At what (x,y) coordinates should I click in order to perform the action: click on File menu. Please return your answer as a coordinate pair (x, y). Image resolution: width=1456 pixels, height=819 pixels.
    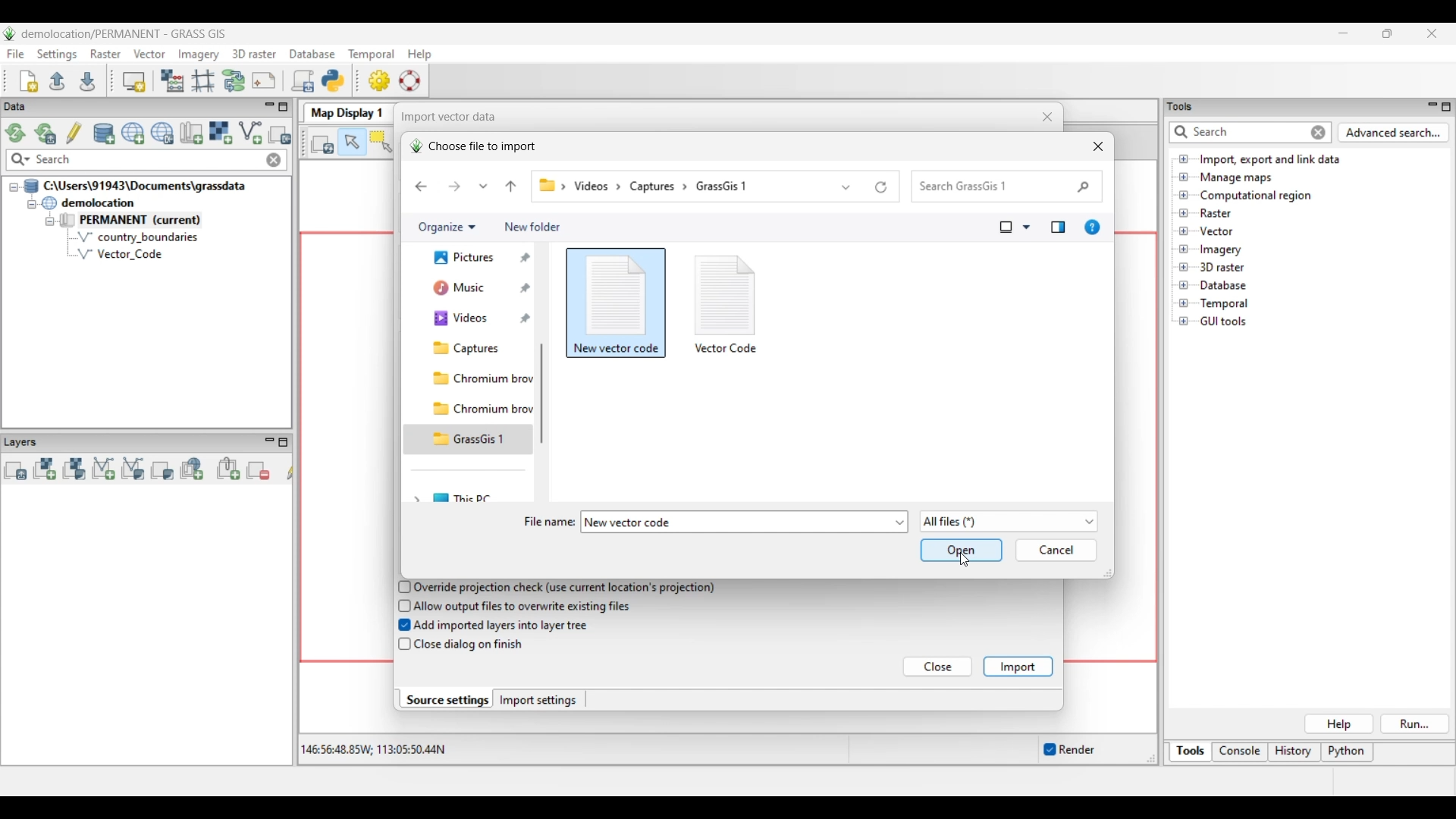
    Looking at the image, I should click on (16, 54).